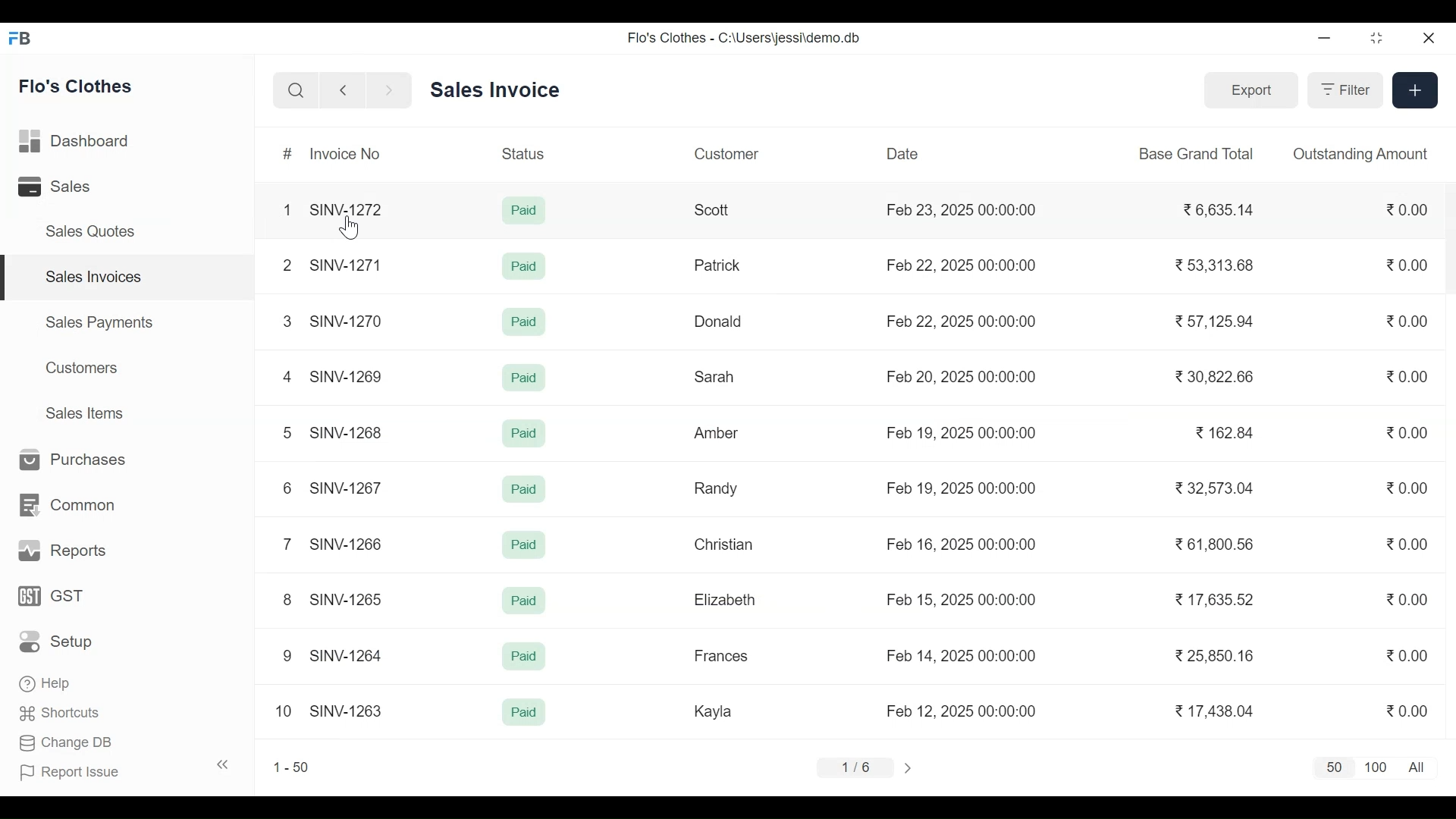 This screenshot has width=1456, height=819. I want to click on 10, so click(284, 708).